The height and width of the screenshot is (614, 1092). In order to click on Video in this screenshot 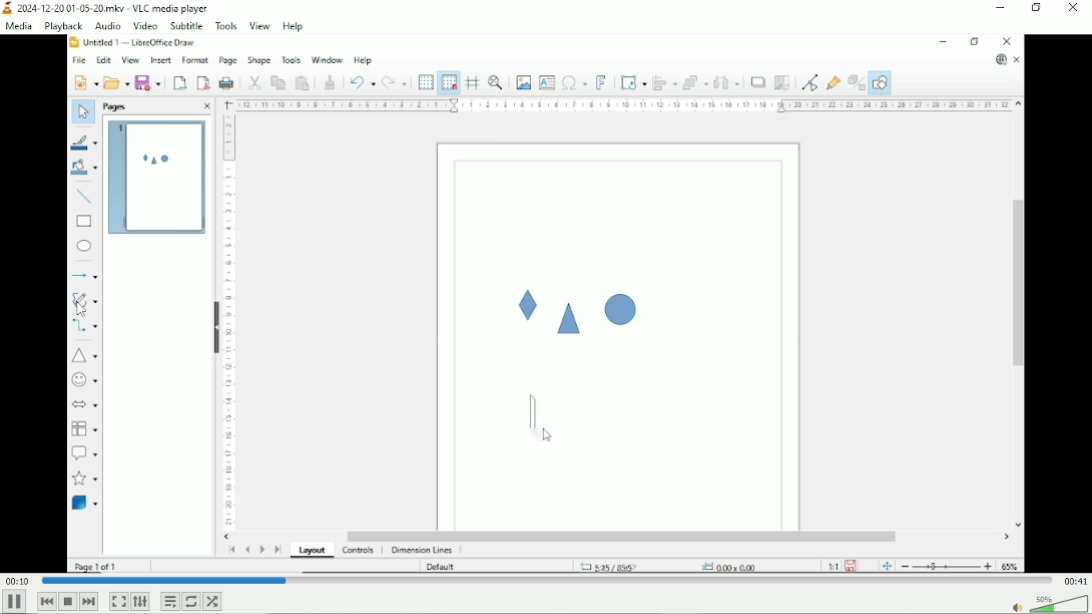, I will do `click(546, 303)`.